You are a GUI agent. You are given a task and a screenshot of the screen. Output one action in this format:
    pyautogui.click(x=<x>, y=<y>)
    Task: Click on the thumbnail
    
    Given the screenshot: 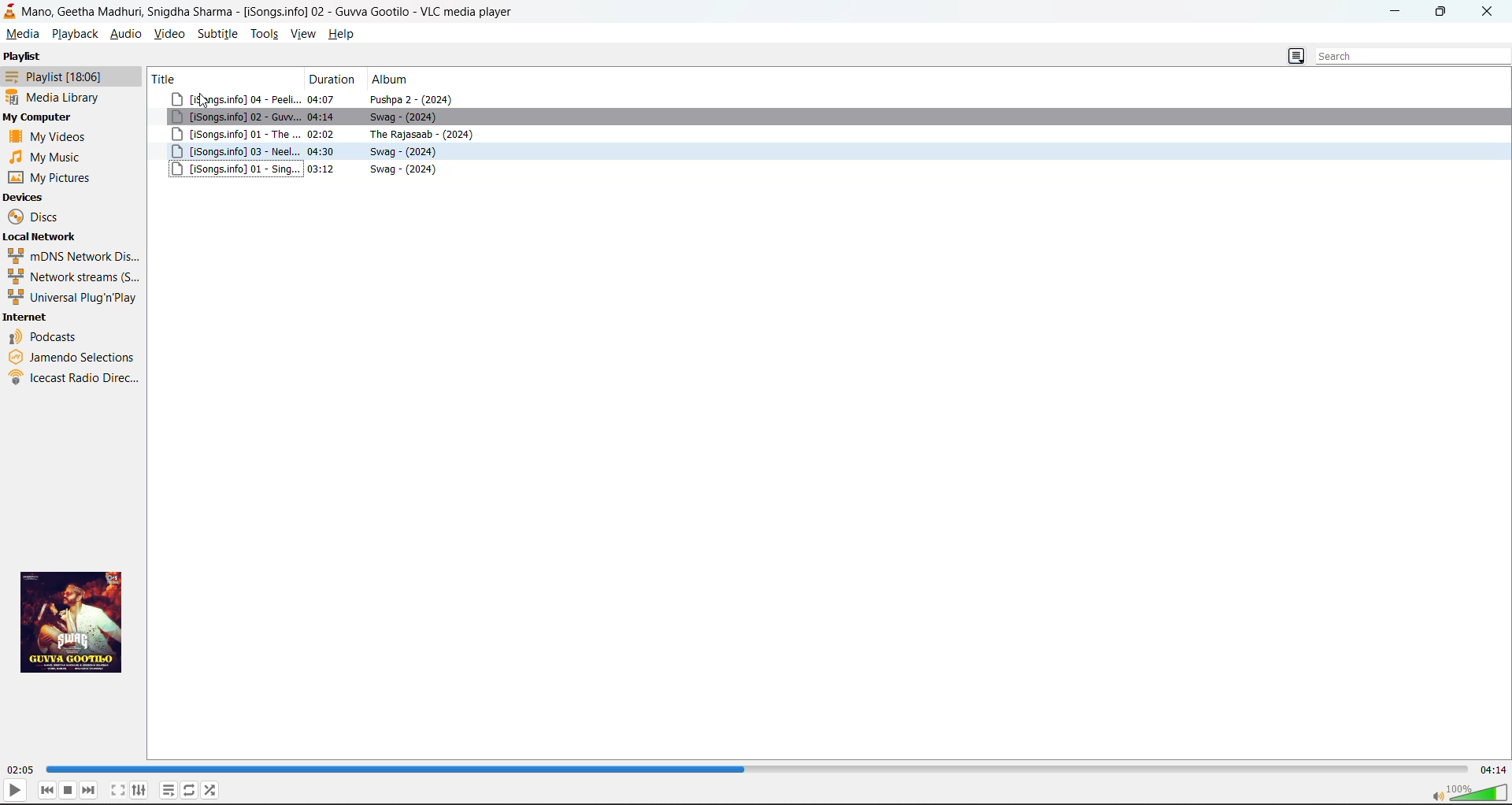 What is the action you would take?
    pyautogui.click(x=76, y=621)
    